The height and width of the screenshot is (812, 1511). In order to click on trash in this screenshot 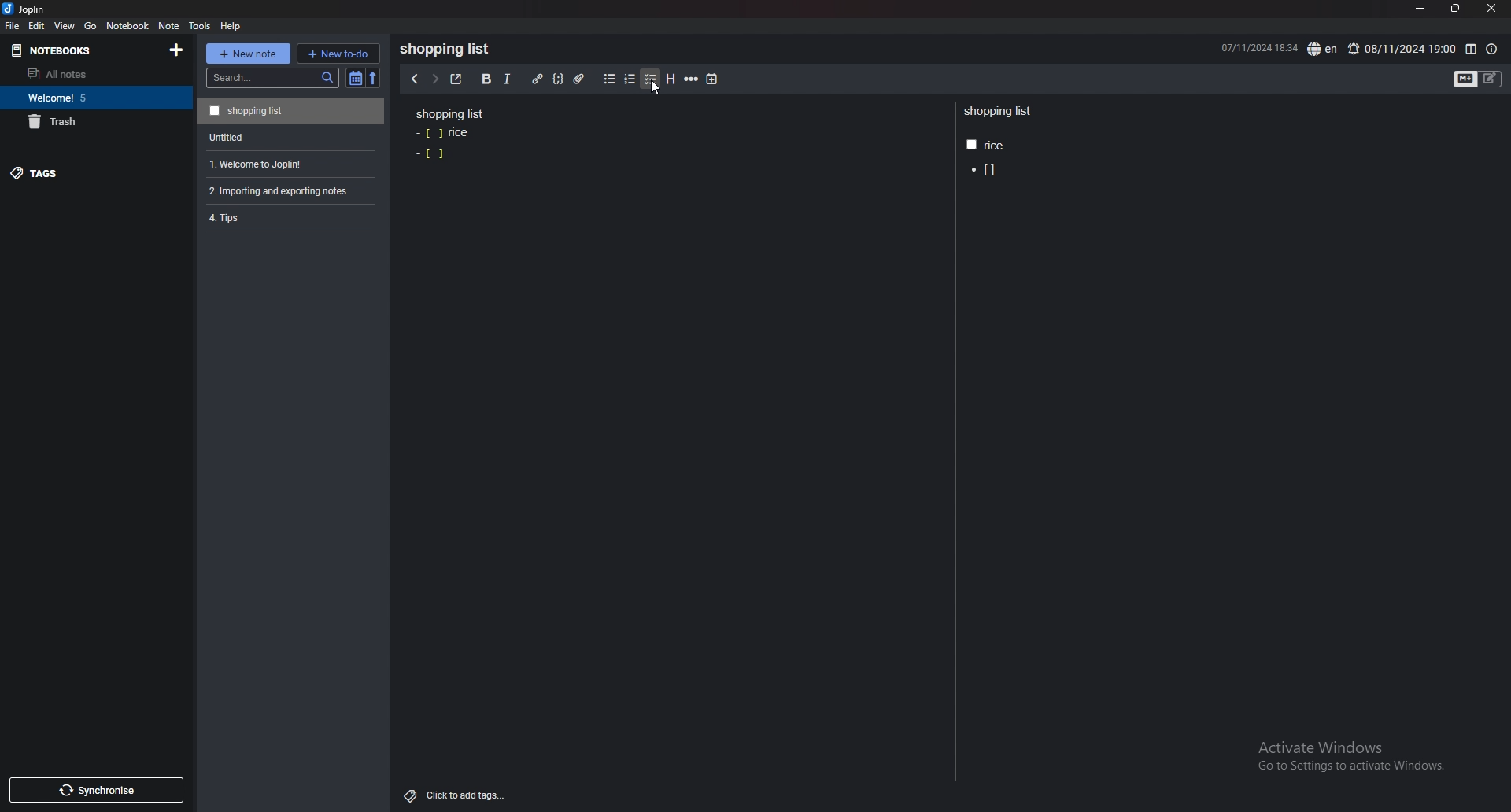, I will do `click(93, 121)`.